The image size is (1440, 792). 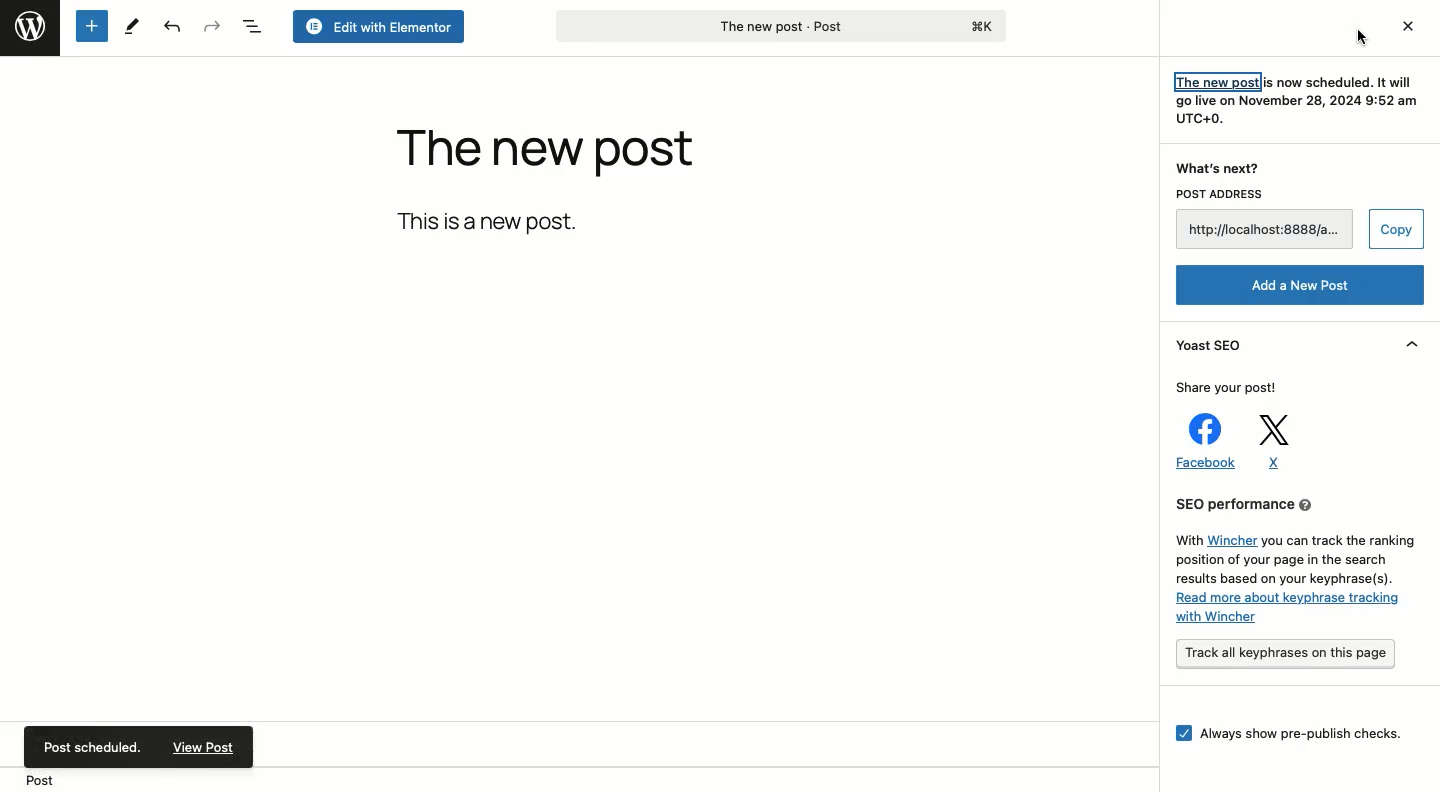 I want to click on position of your page in the search, so click(x=1279, y=561).